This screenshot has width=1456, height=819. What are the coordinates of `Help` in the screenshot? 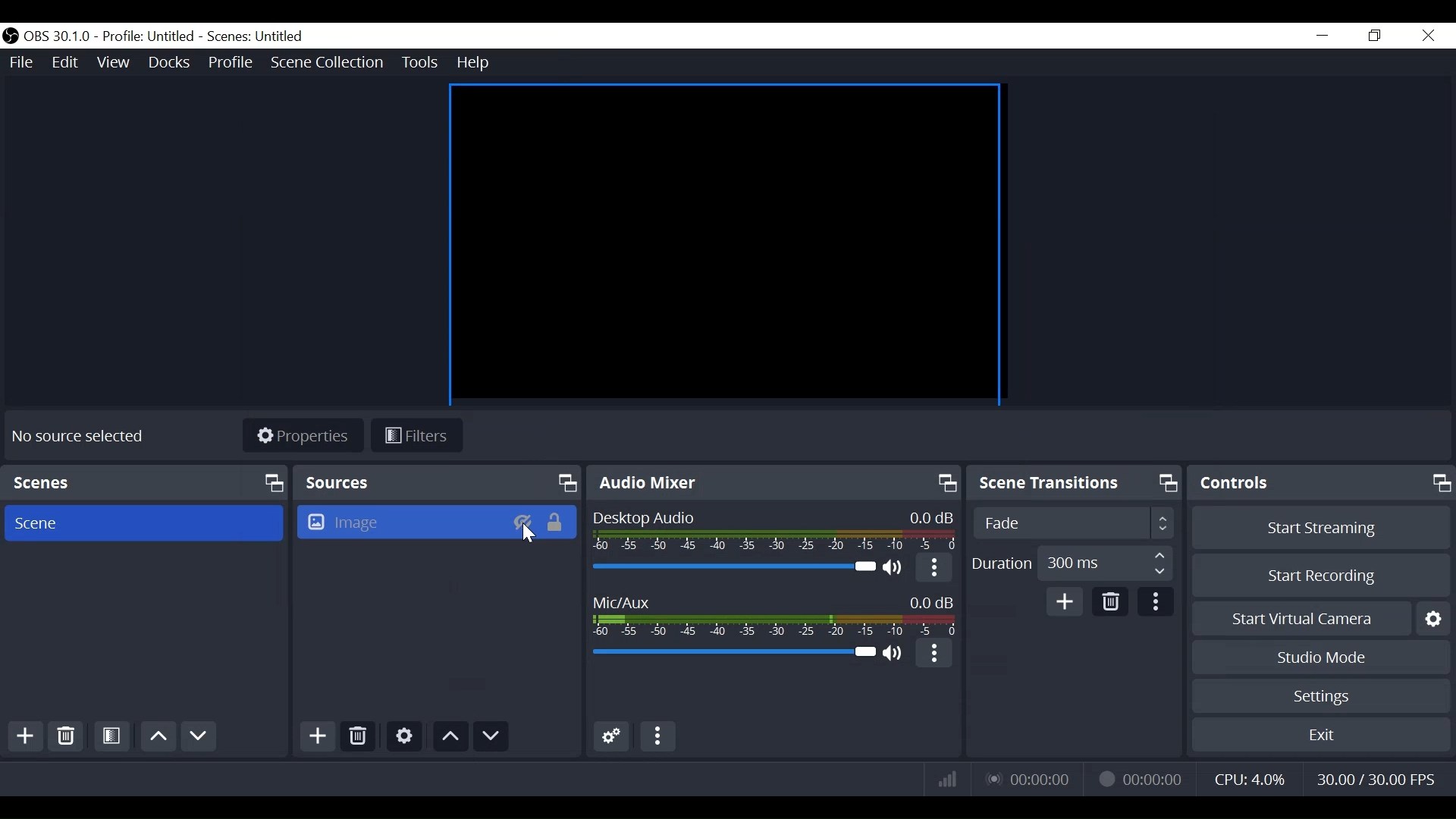 It's located at (474, 63).